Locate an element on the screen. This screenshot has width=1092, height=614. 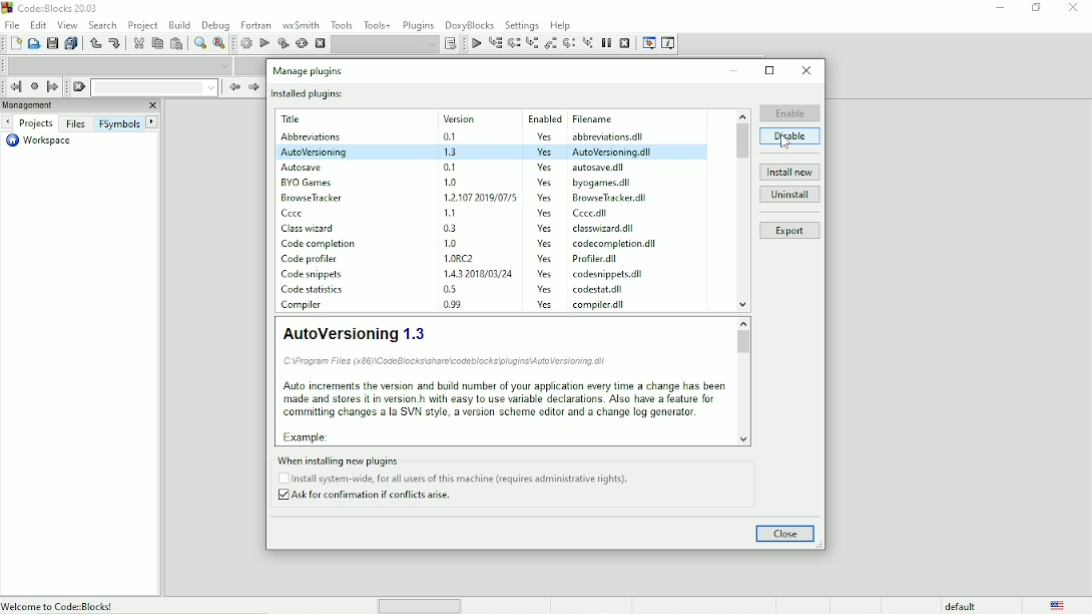
abbrevations.dll is located at coordinates (609, 137).